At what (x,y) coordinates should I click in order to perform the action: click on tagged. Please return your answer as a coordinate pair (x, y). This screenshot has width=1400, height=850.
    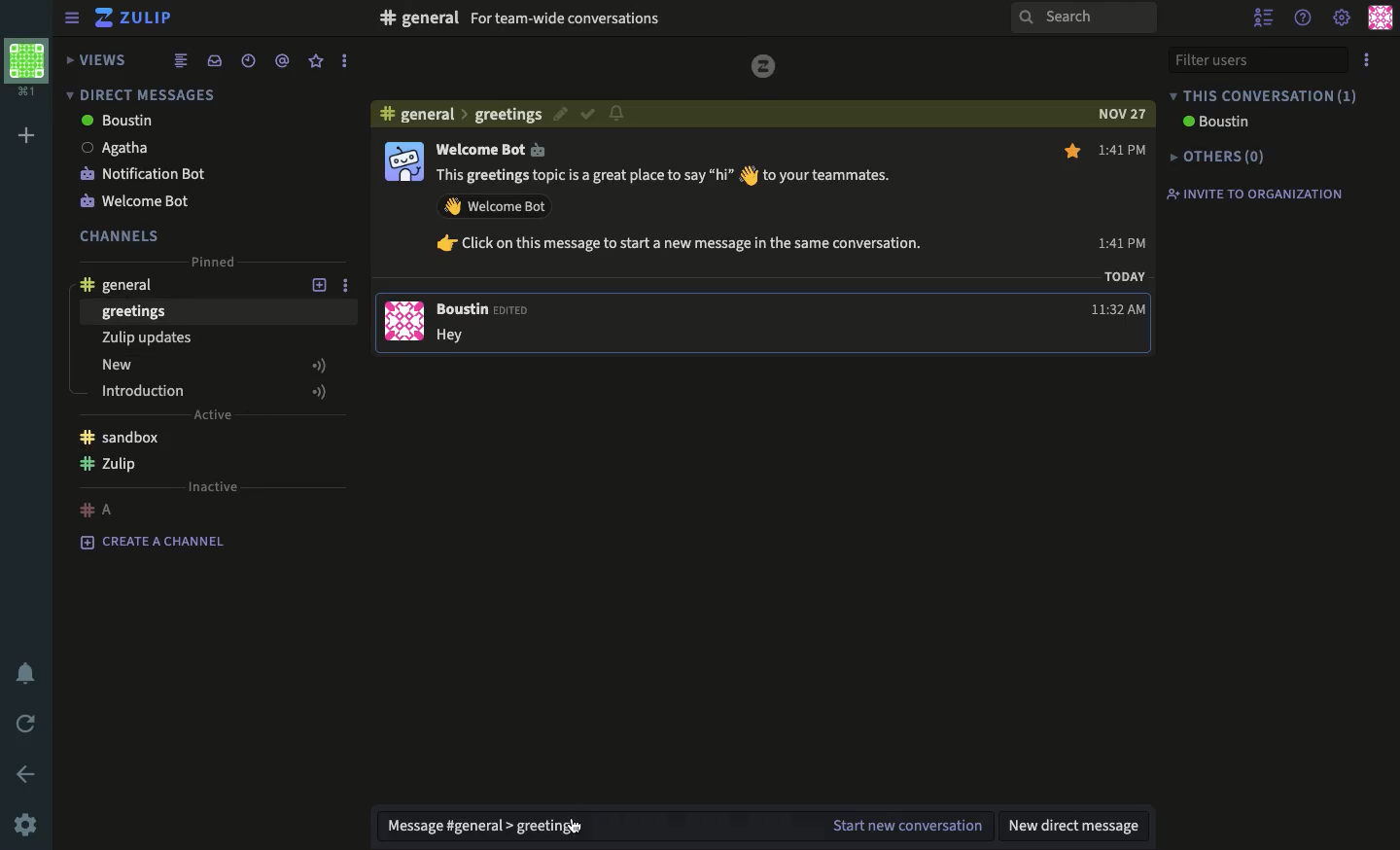
    Looking at the image, I should click on (281, 60).